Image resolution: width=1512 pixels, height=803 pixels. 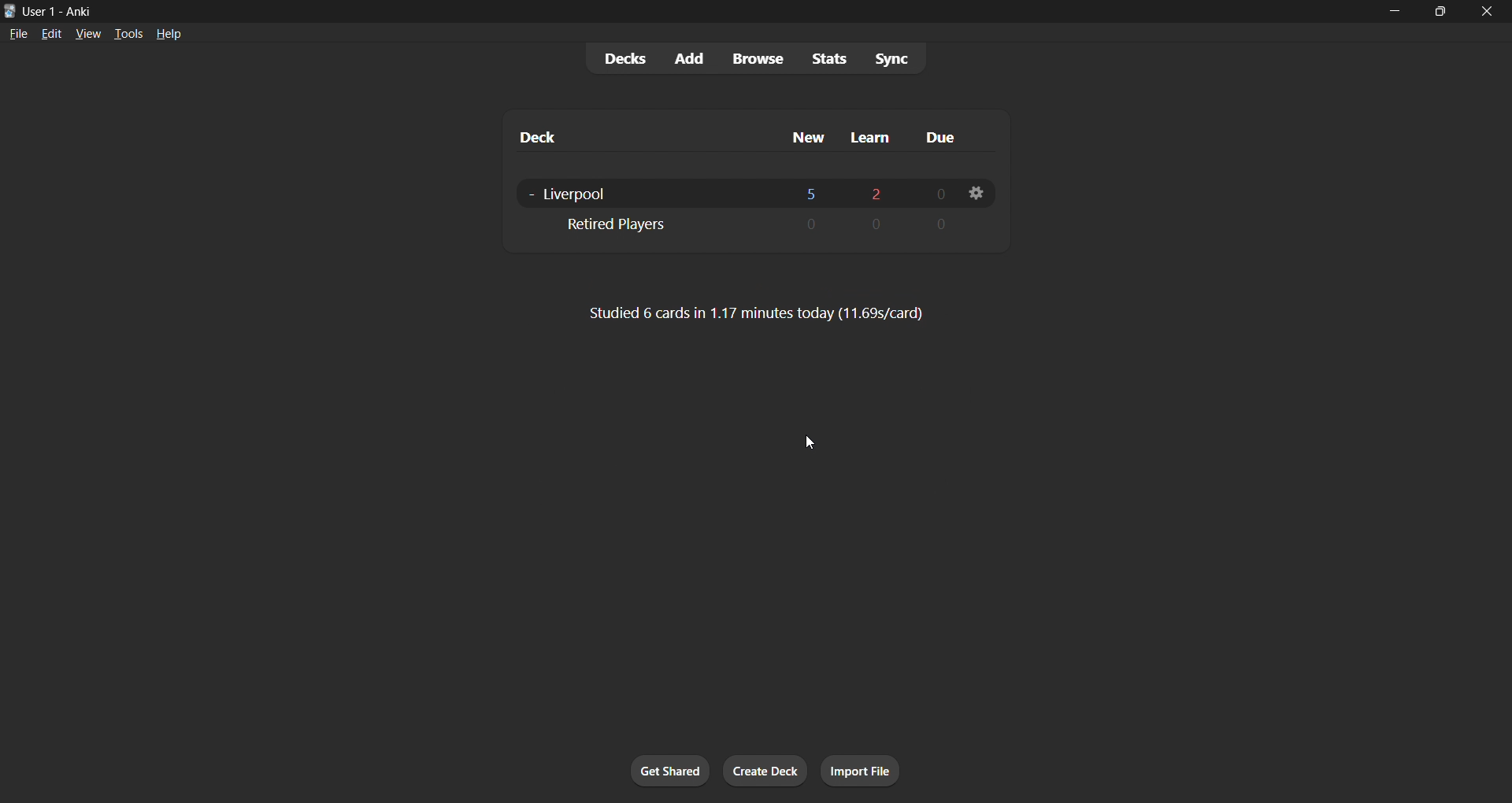 What do you see at coordinates (1484, 13) in the screenshot?
I see `close` at bounding box center [1484, 13].